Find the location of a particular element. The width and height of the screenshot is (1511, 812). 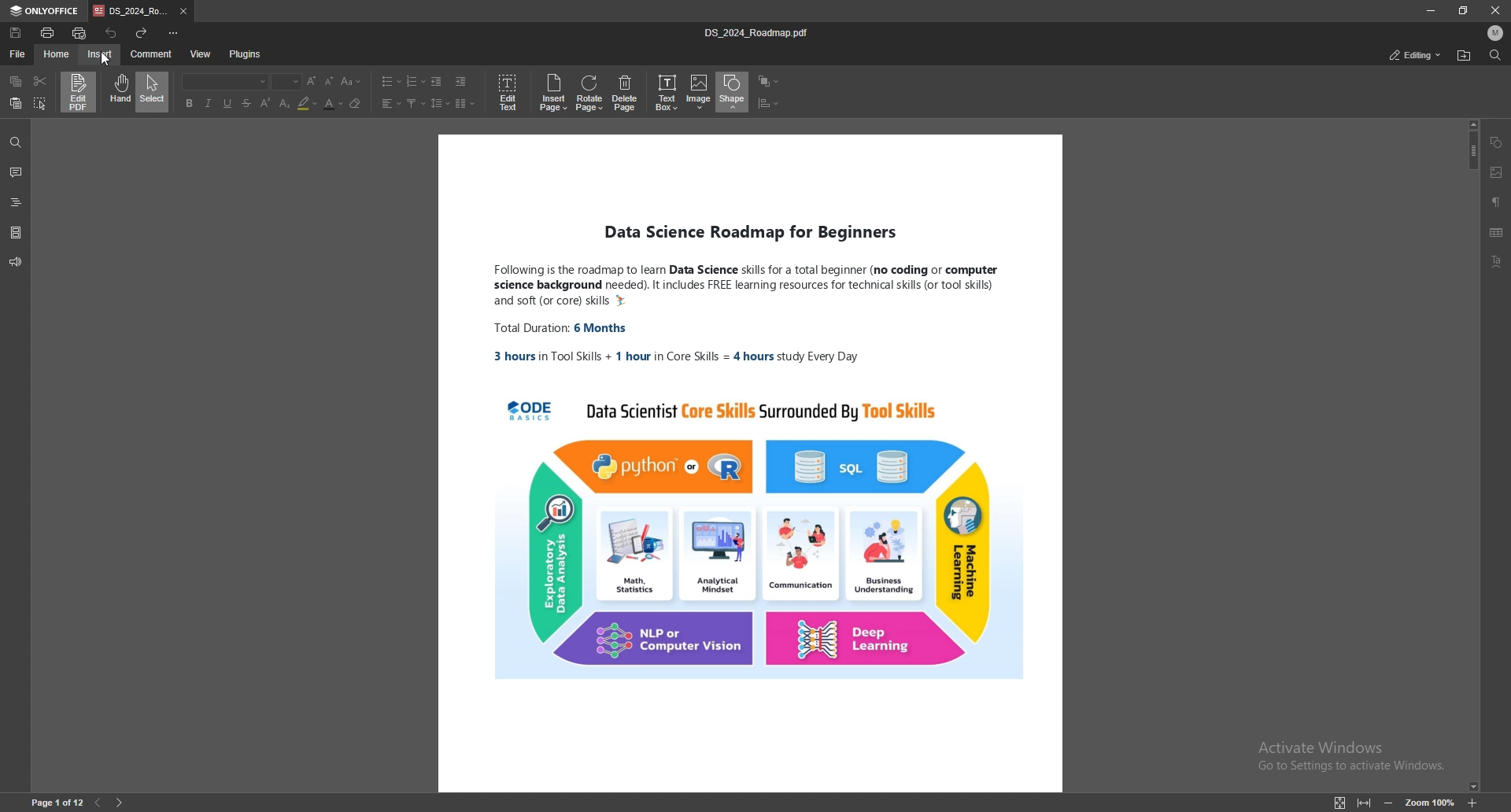

edit pdf is located at coordinates (79, 92).